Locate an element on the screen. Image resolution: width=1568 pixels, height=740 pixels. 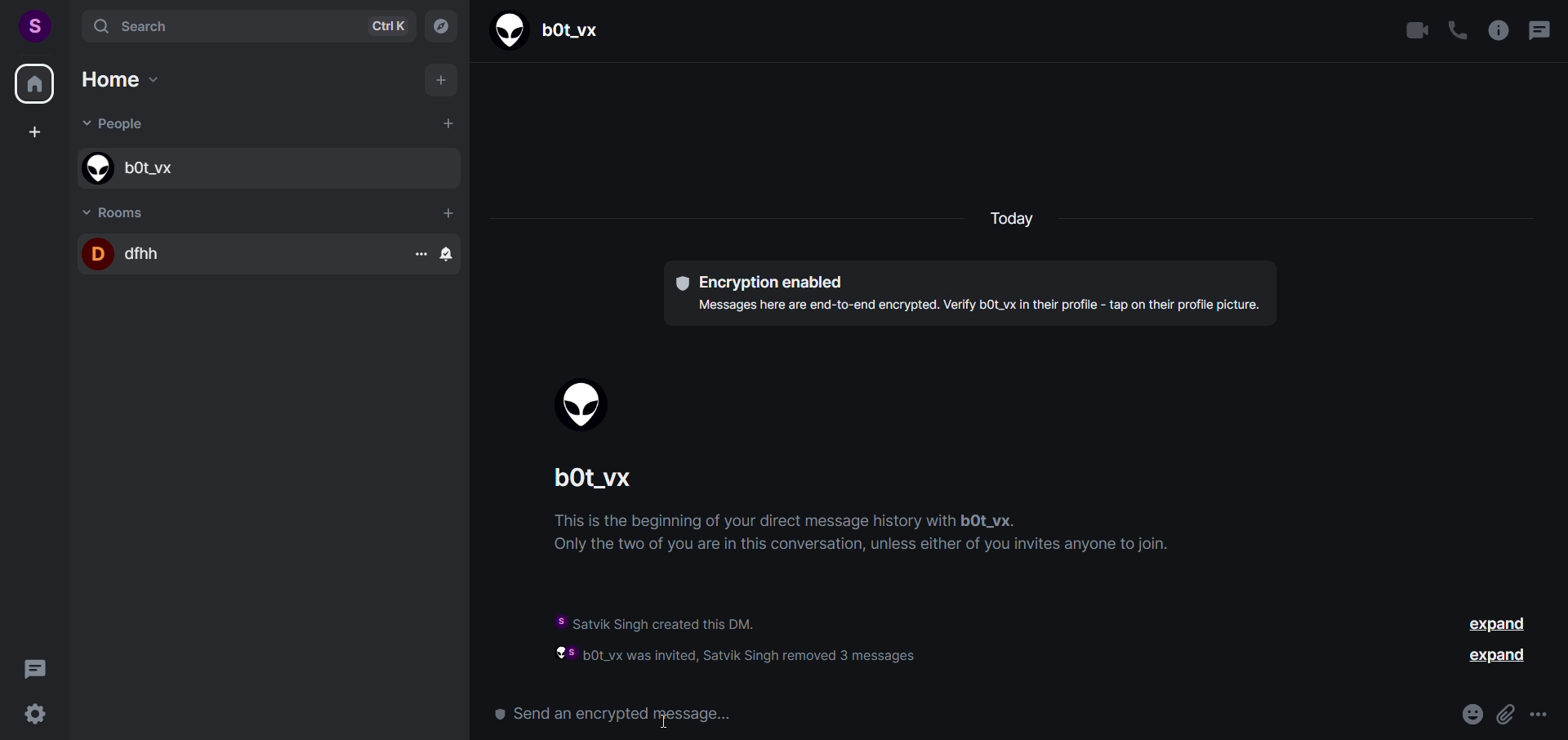
people is located at coordinates (119, 126).